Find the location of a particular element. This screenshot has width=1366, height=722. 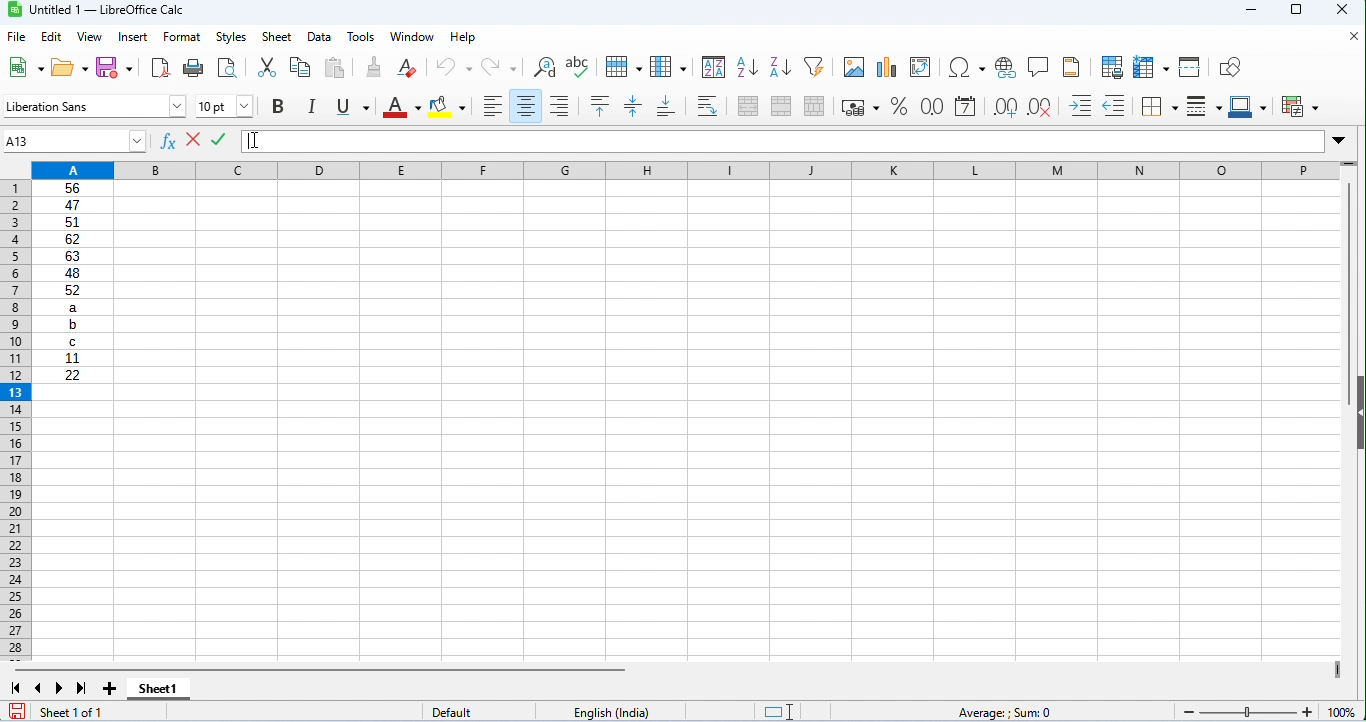

 is located at coordinates (231, 38).